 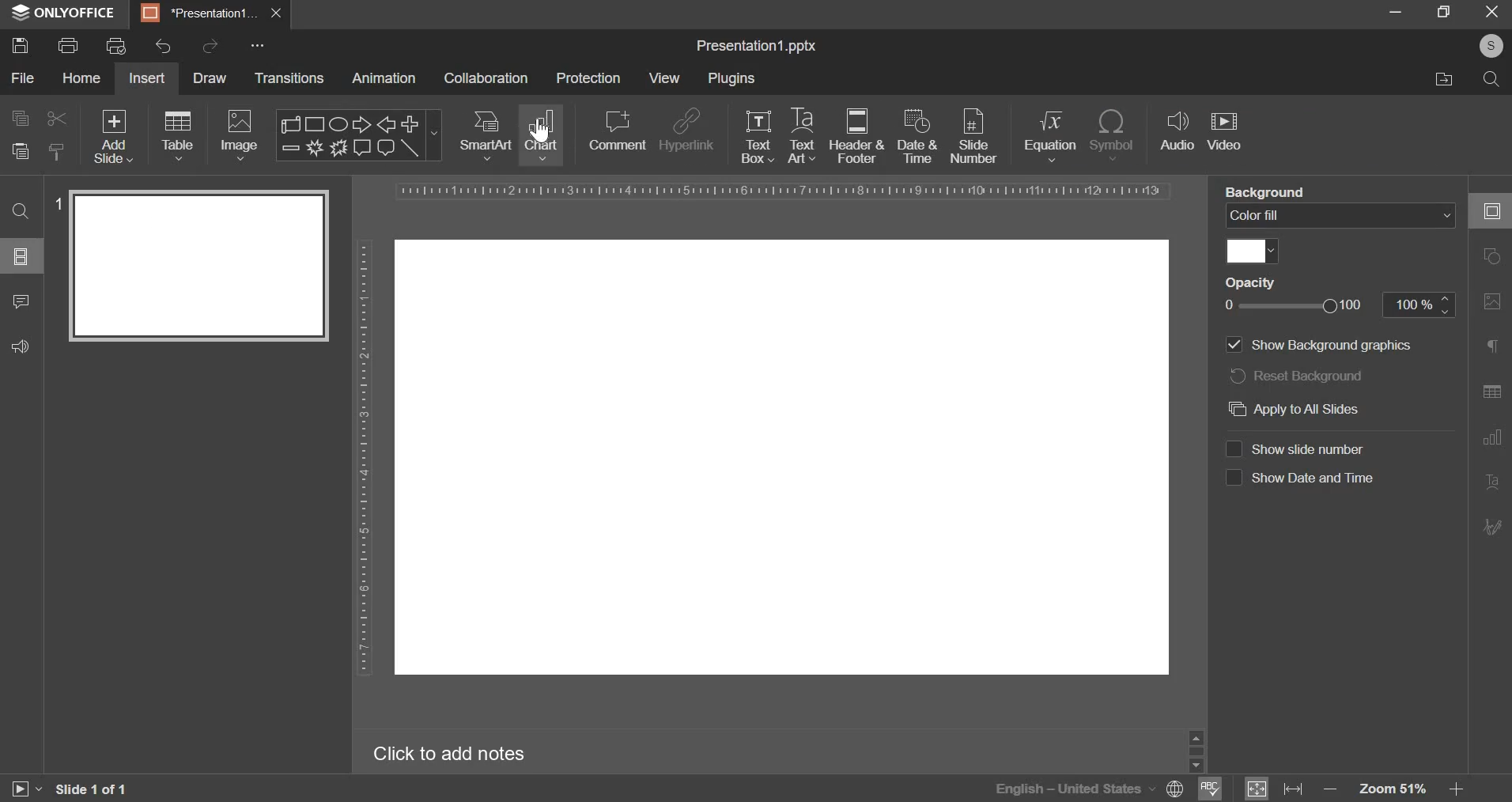 What do you see at coordinates (20, 46) in the screenshot?
I see `save` at bounding box center [20, 46].